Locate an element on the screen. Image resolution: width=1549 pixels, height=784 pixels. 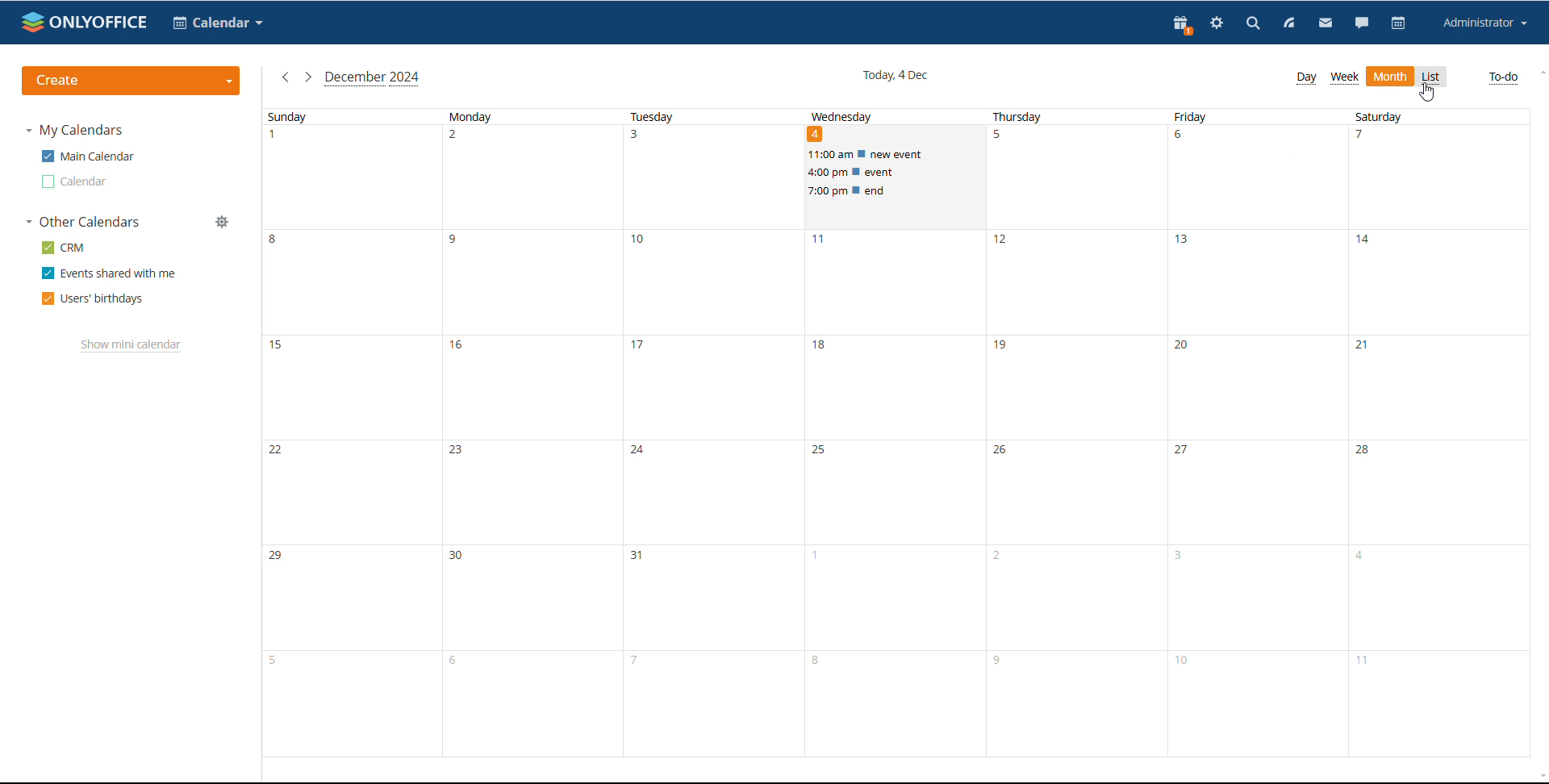
users' birthdays is located at coordinates (92, 299).